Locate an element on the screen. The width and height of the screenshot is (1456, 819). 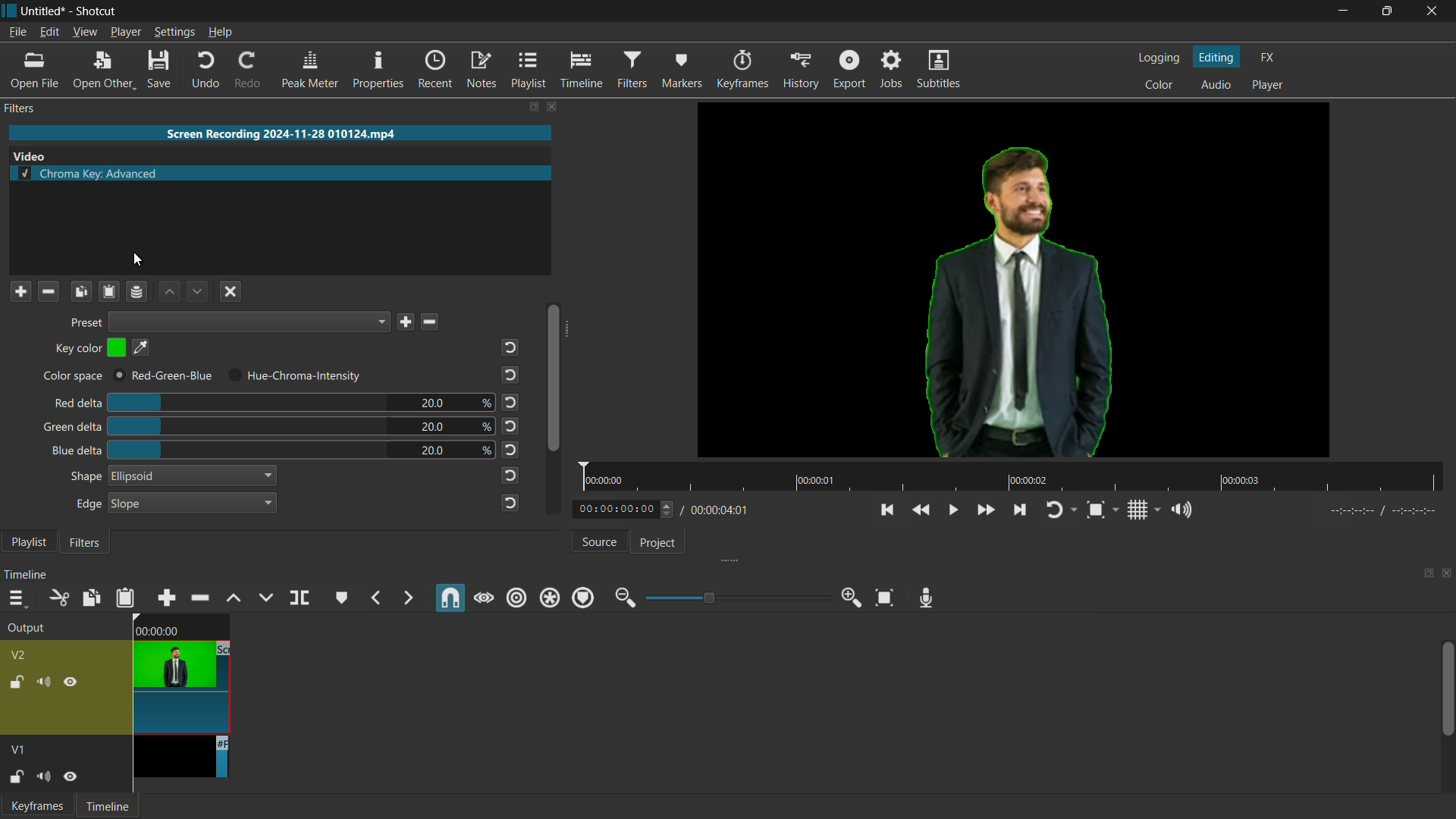
mute is located at coordinates (42, 682).